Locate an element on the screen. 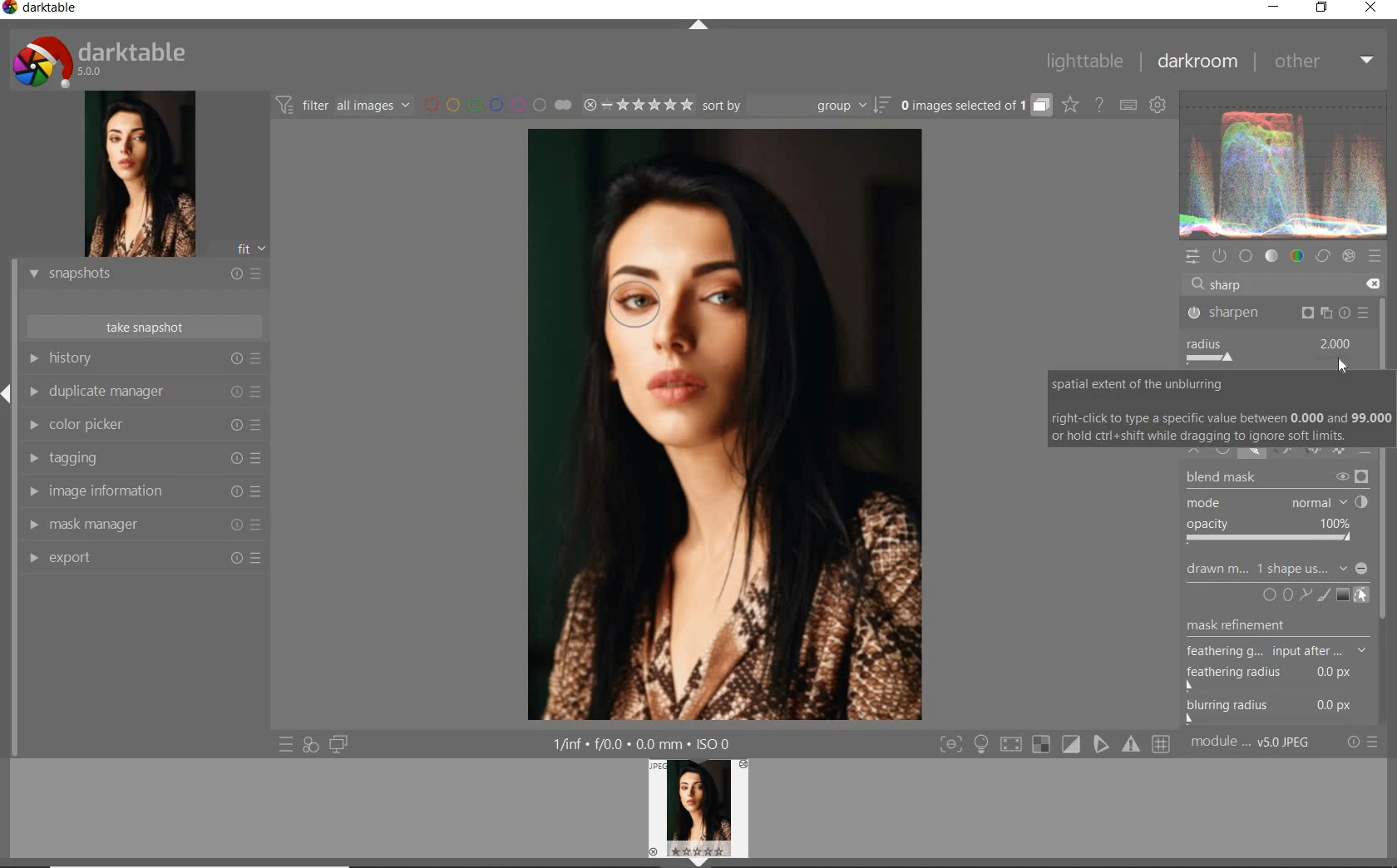 The width and height of the screenshot is (1397, 868). snapshots is located at coordinates (142, 274).